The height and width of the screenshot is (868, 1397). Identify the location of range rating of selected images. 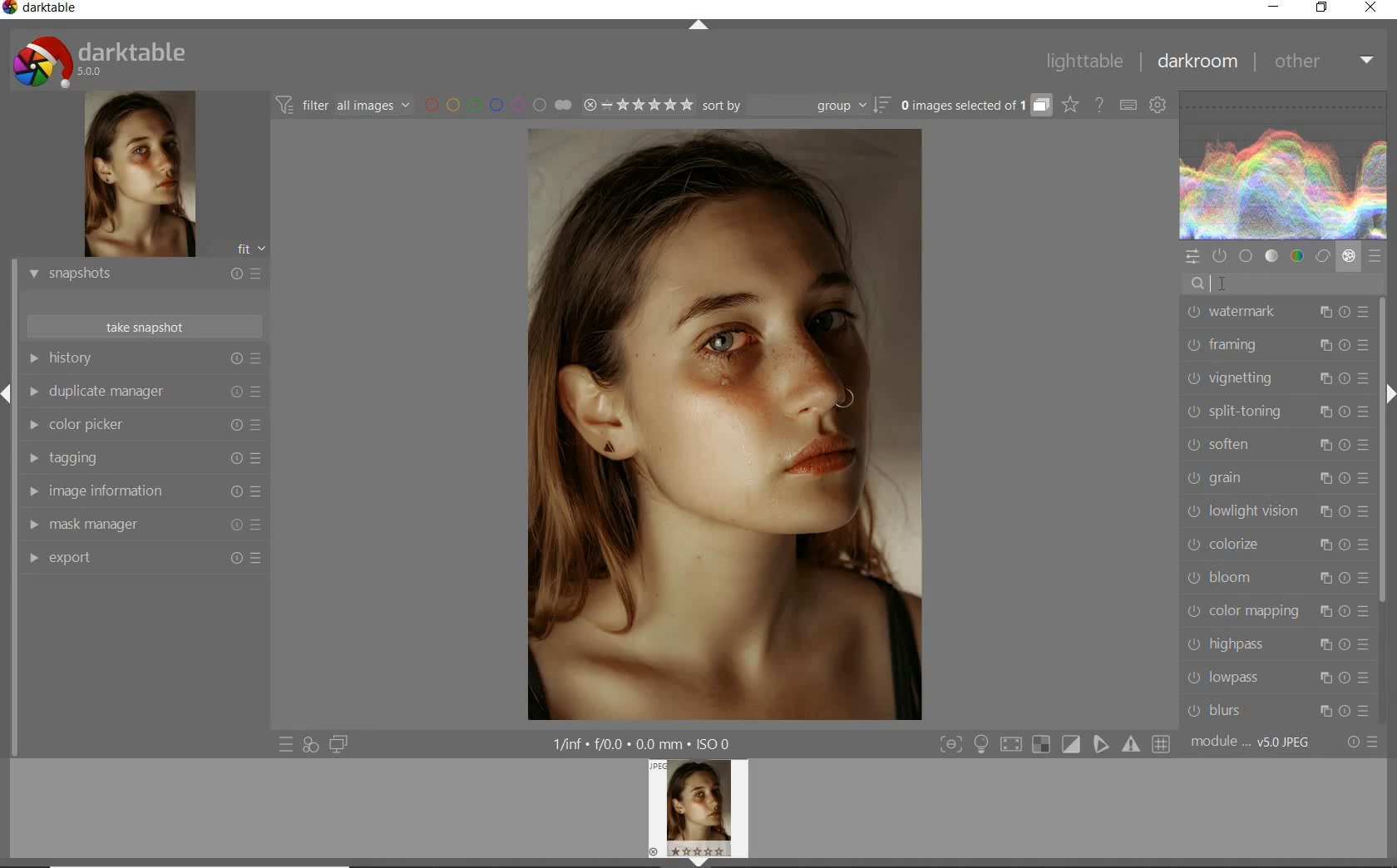
(639, 104).